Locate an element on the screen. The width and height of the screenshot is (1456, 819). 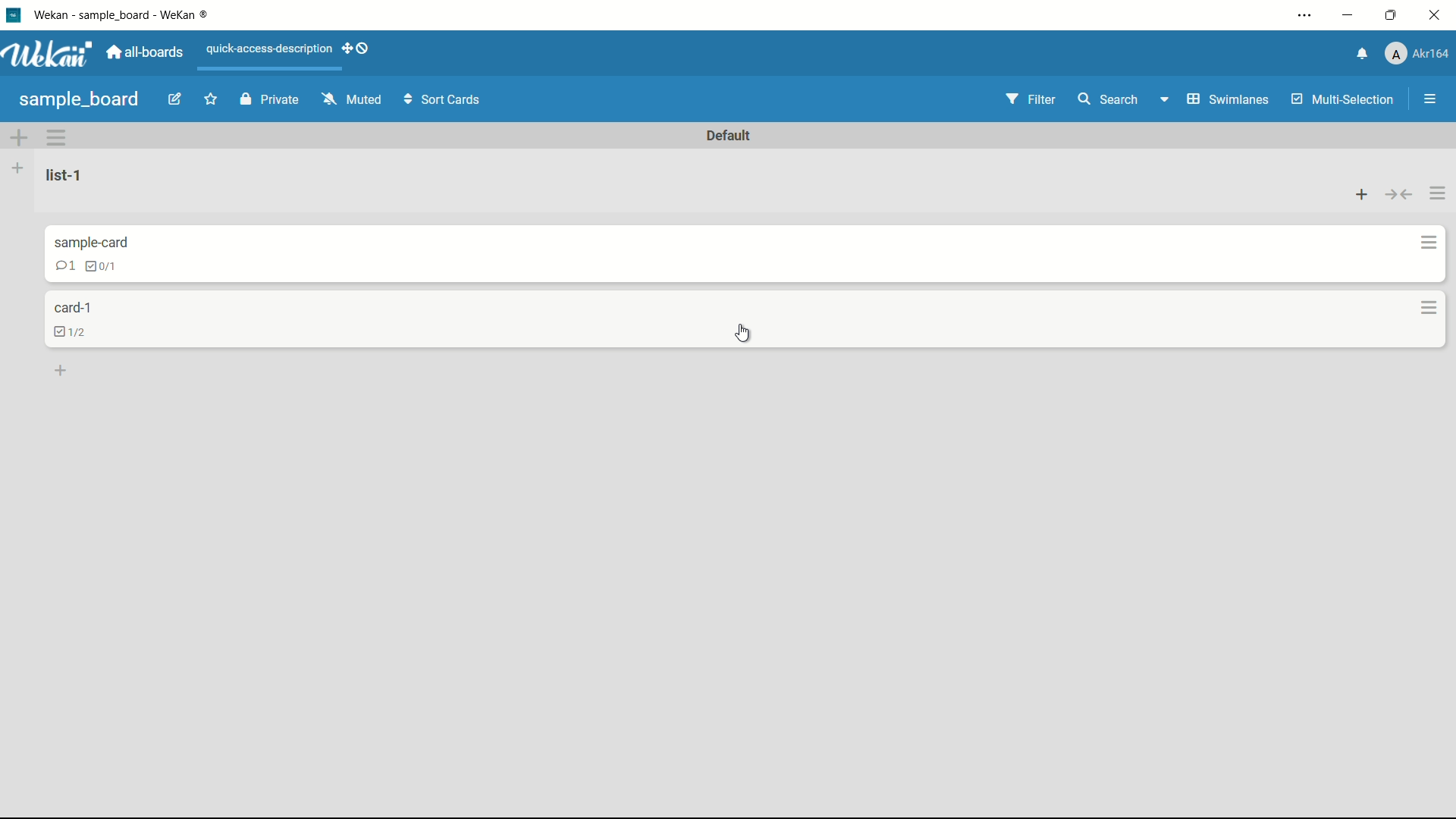
sample_board is located at coordinates (76, 99).